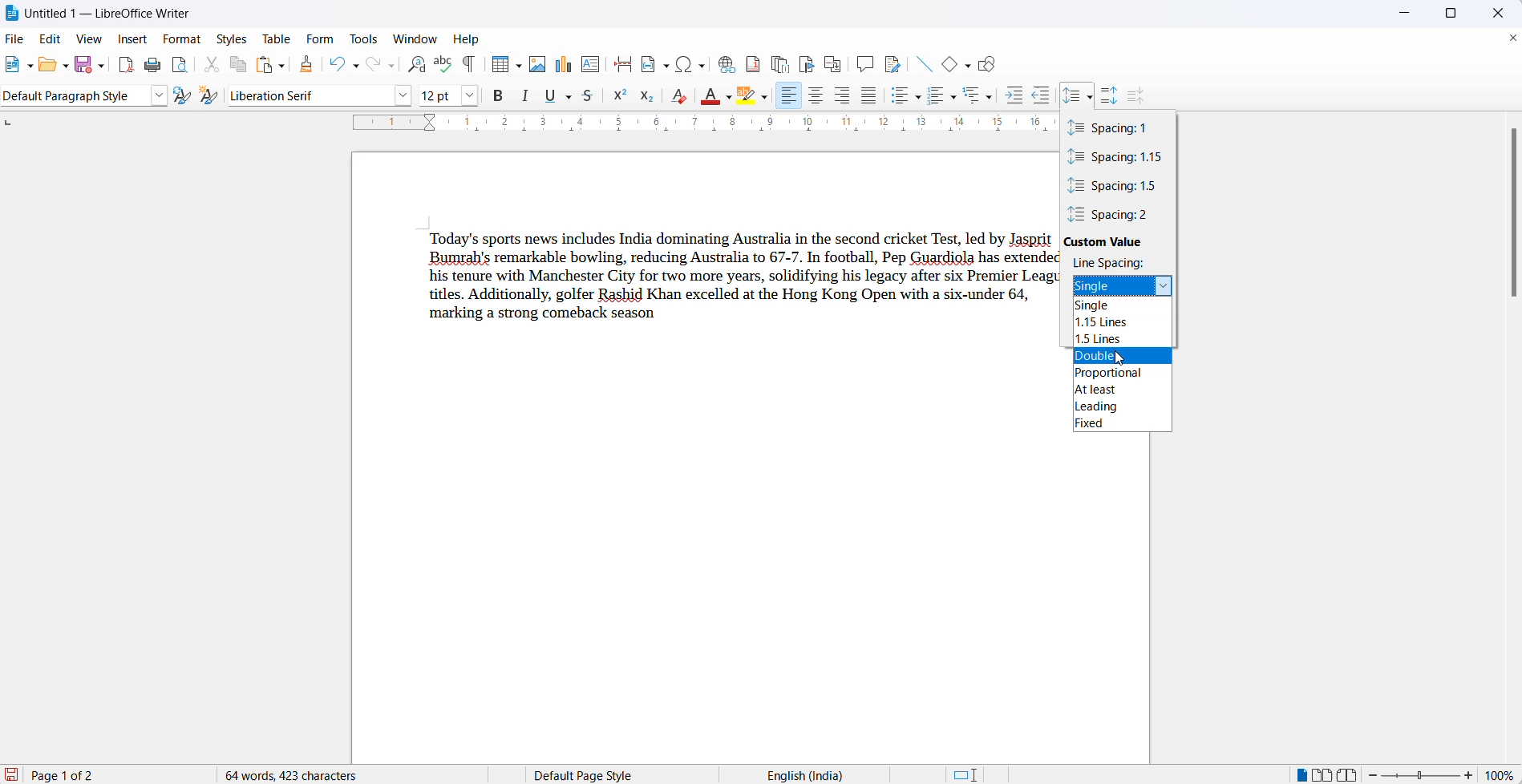  Describe the element at coordinates (233, 37) in the screenshot. I see `styles` at that location.